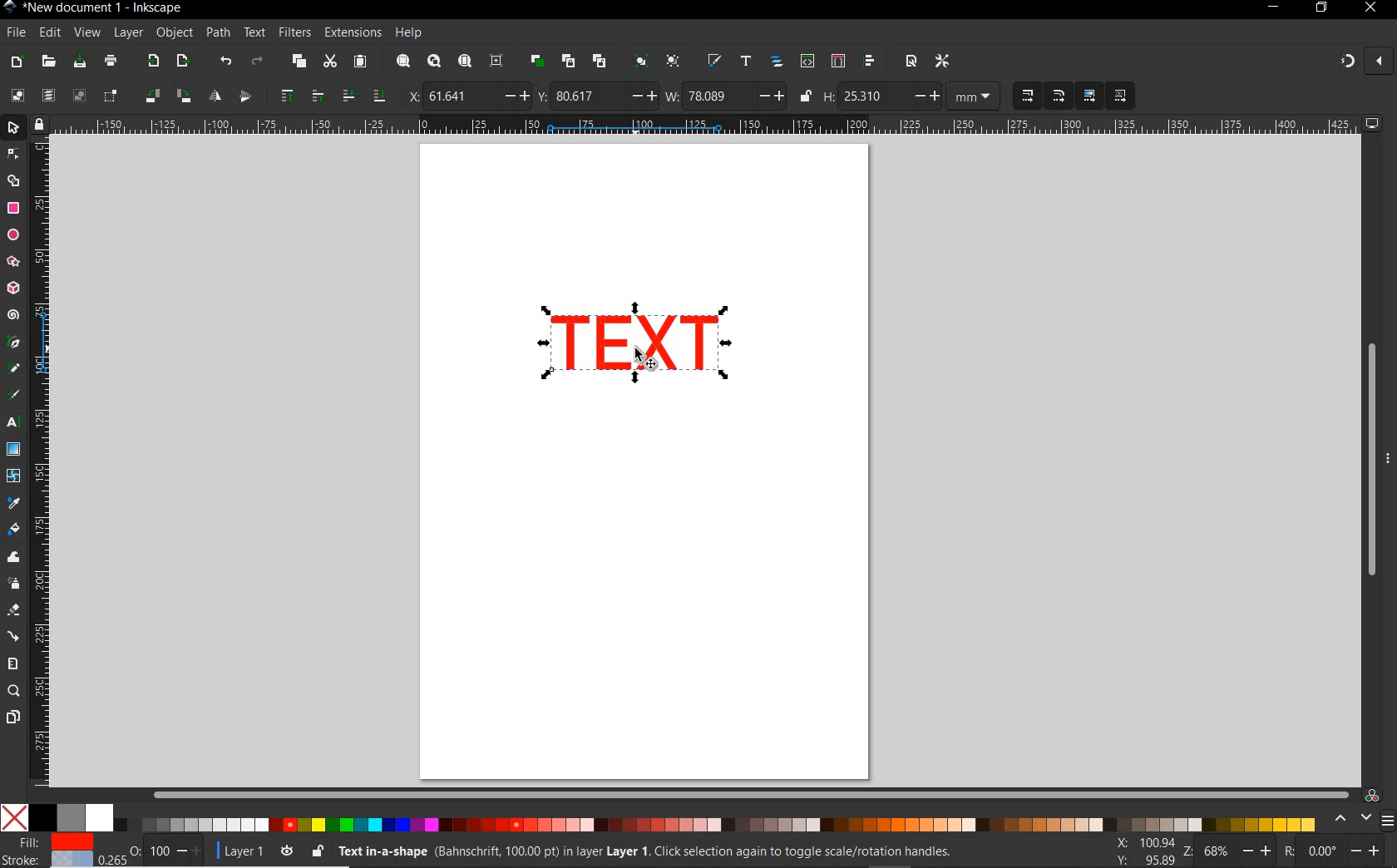 Image resolution: width=1397 pixels, height=868 pixels. I want to click on eraser tool, so click(12, 611).